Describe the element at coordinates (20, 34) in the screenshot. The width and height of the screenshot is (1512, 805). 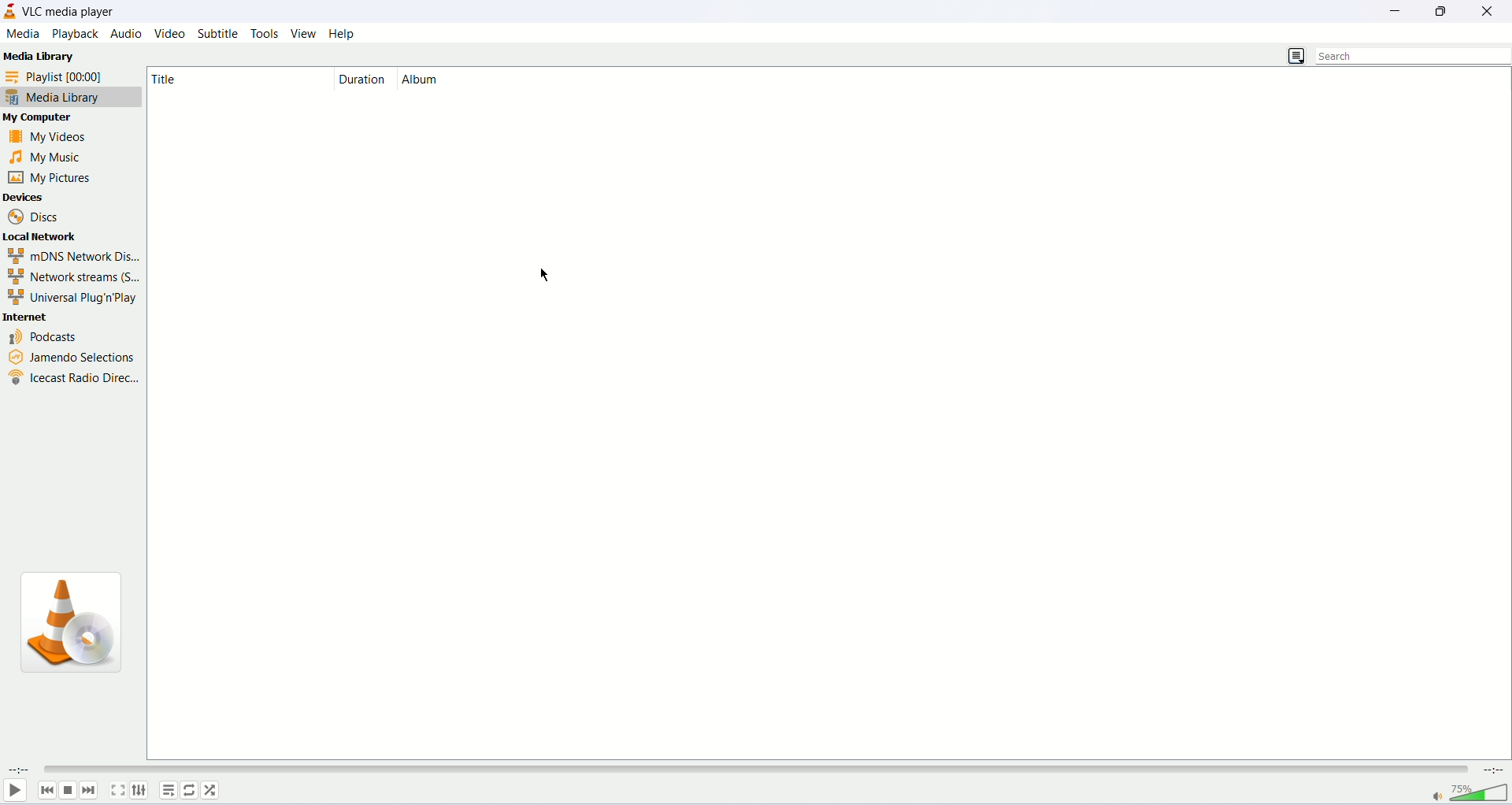
I see `media` at that location.